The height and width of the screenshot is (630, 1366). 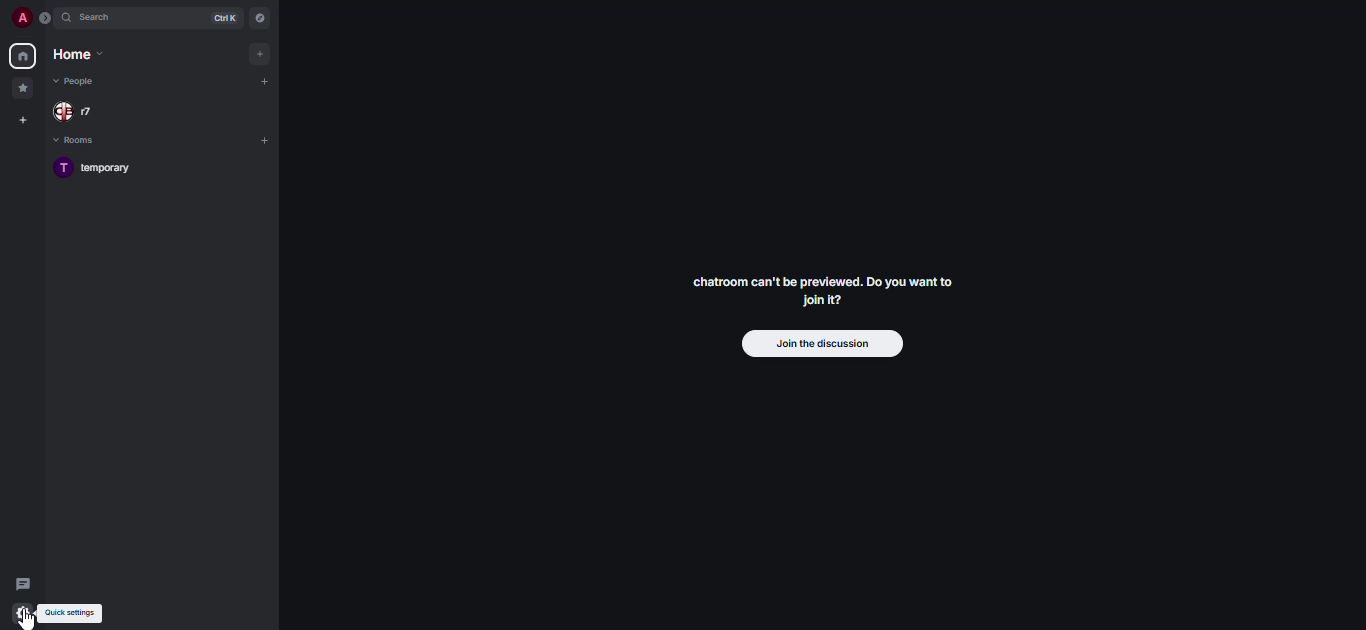 I want to click on add, so click(x=259, y=53).